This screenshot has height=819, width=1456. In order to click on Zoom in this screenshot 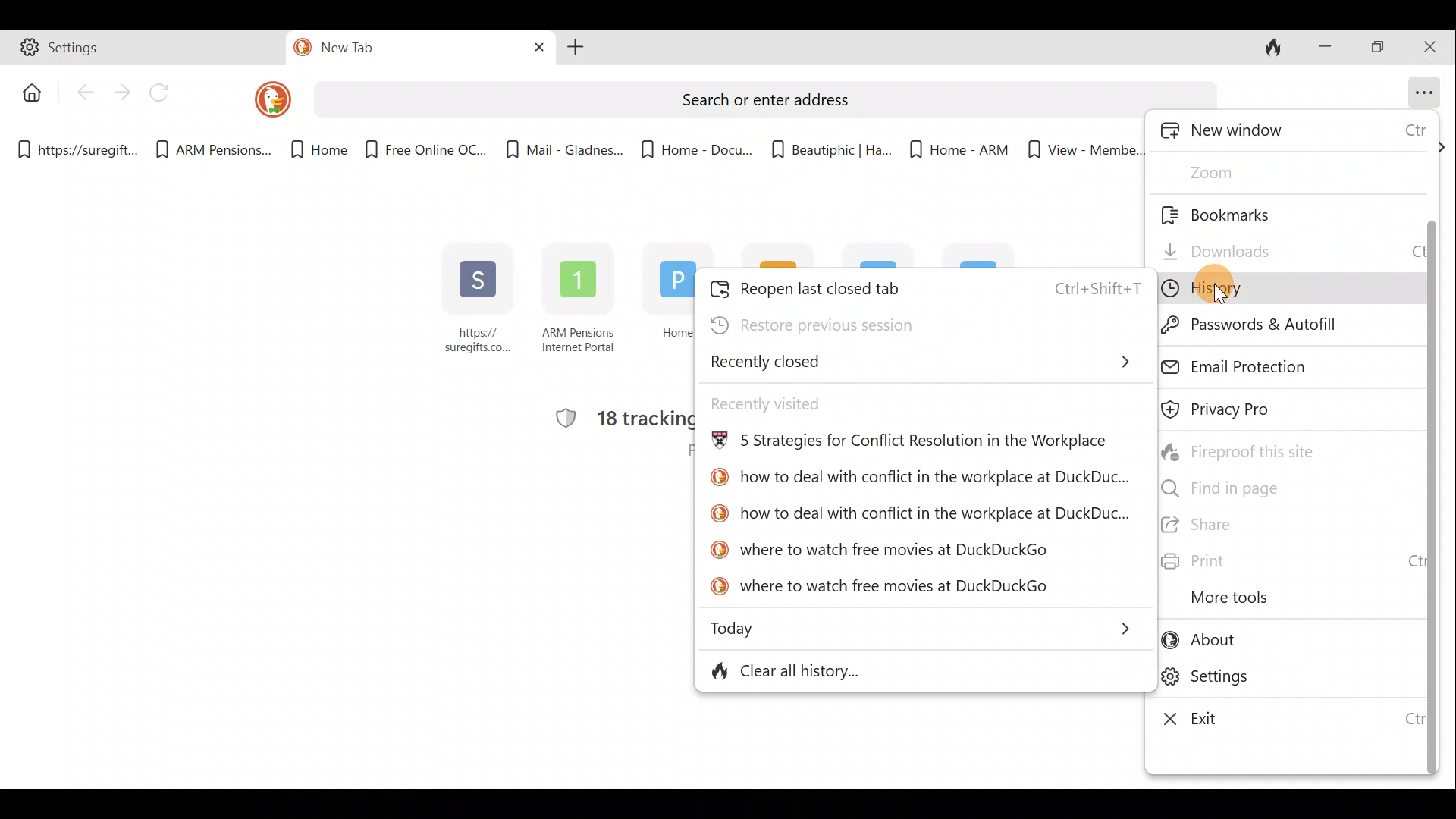, I will do `click(1241, 171)`.